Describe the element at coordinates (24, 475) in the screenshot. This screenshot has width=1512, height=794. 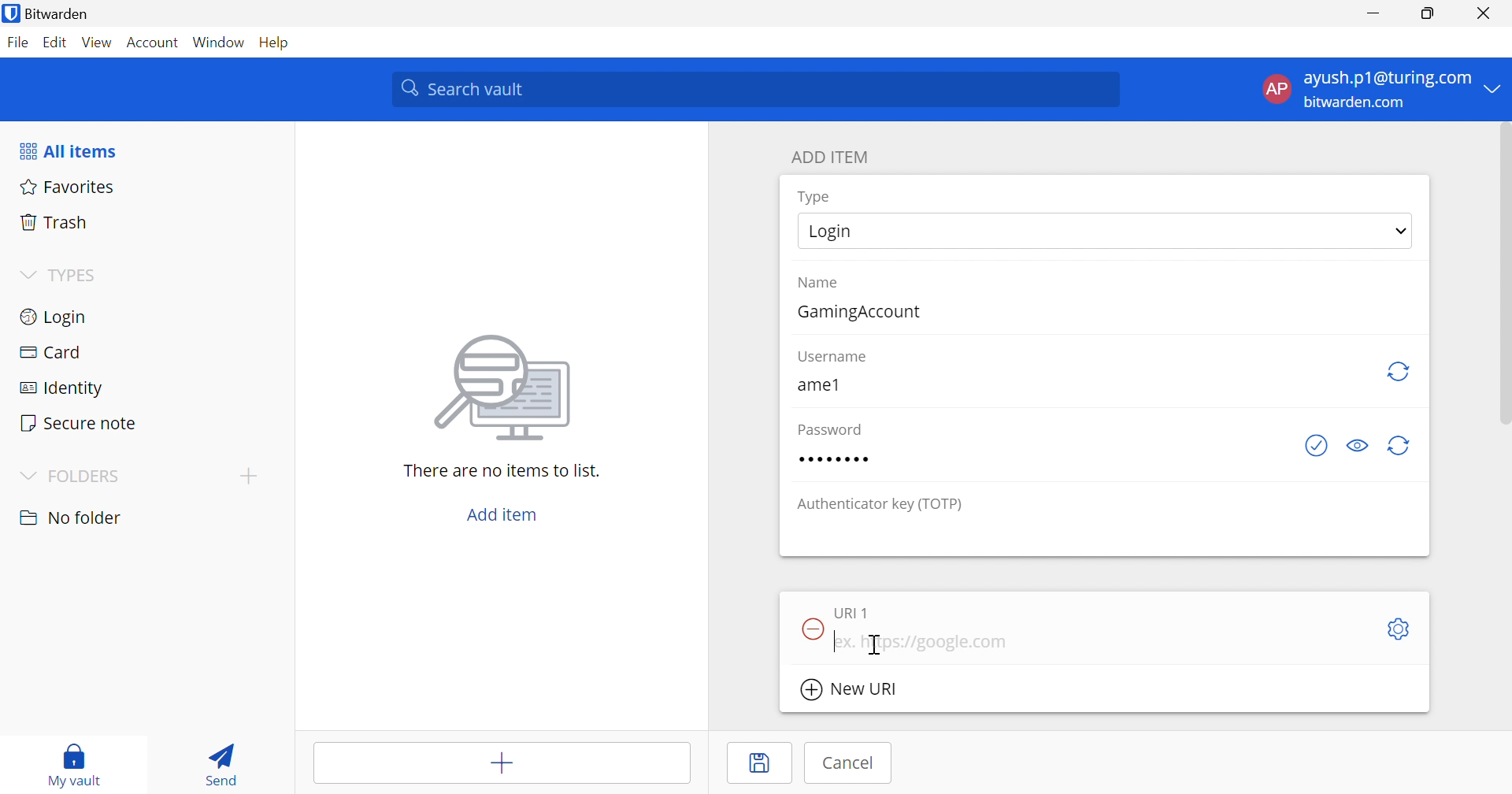
I see `Drop Down` at that location.